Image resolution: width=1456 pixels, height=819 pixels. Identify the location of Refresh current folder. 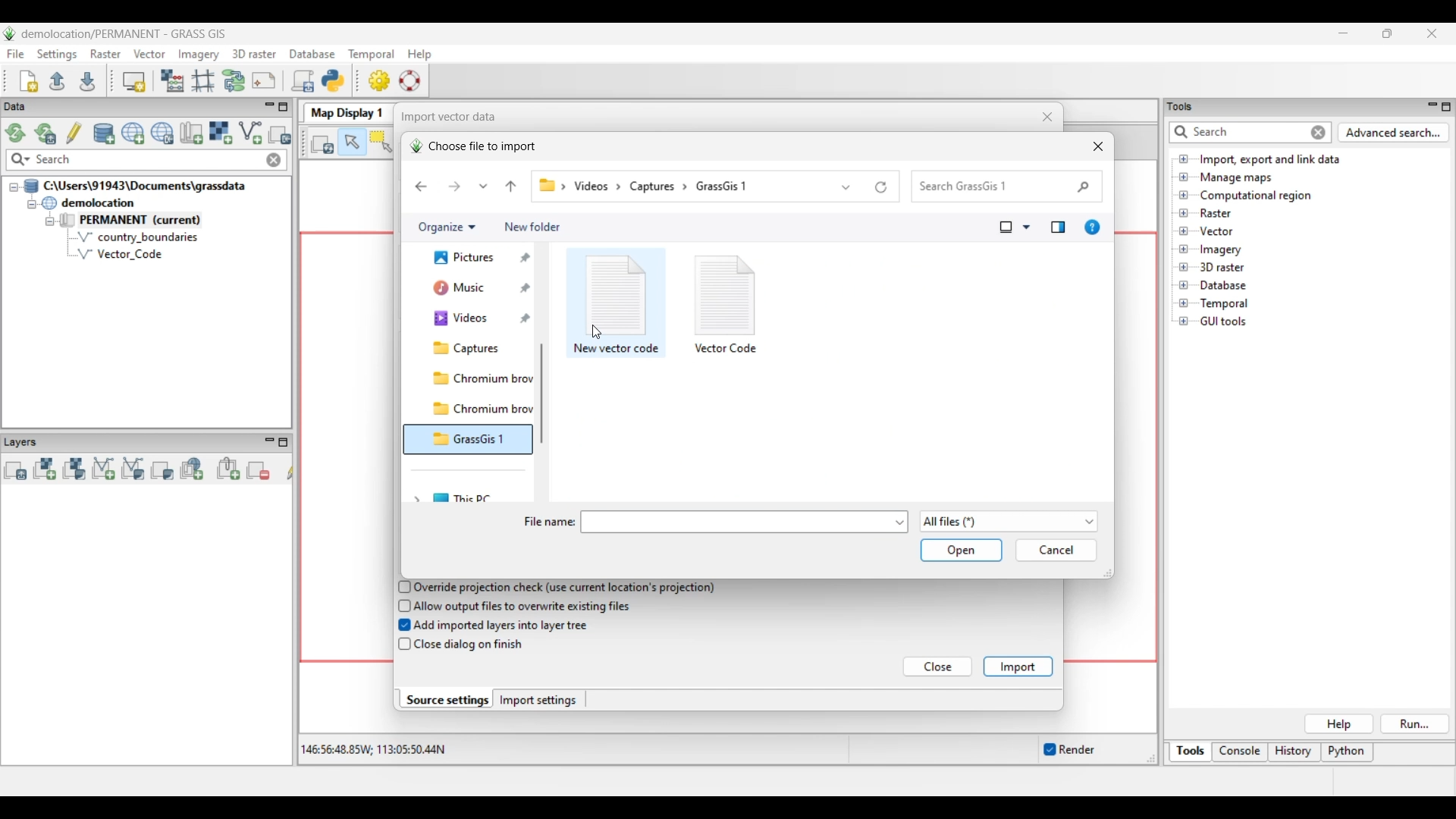
(881, 187).